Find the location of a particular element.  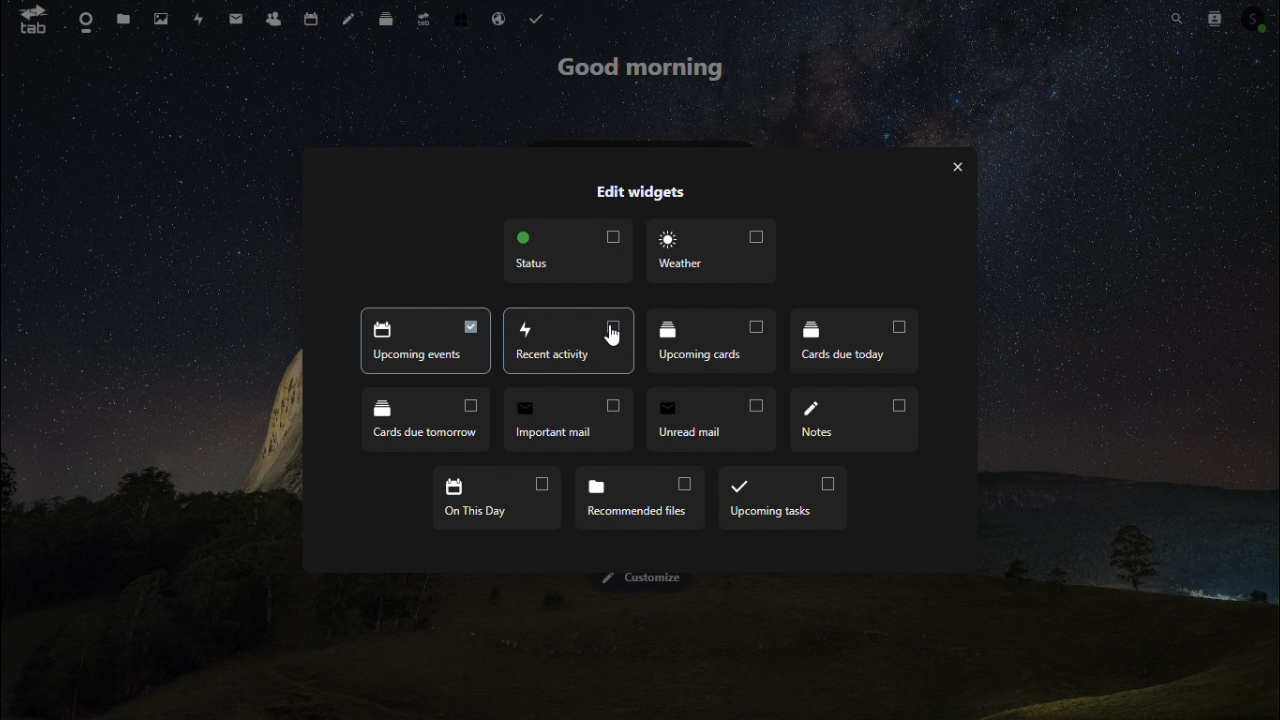

Recent activity is located at coordinates (423, 340).